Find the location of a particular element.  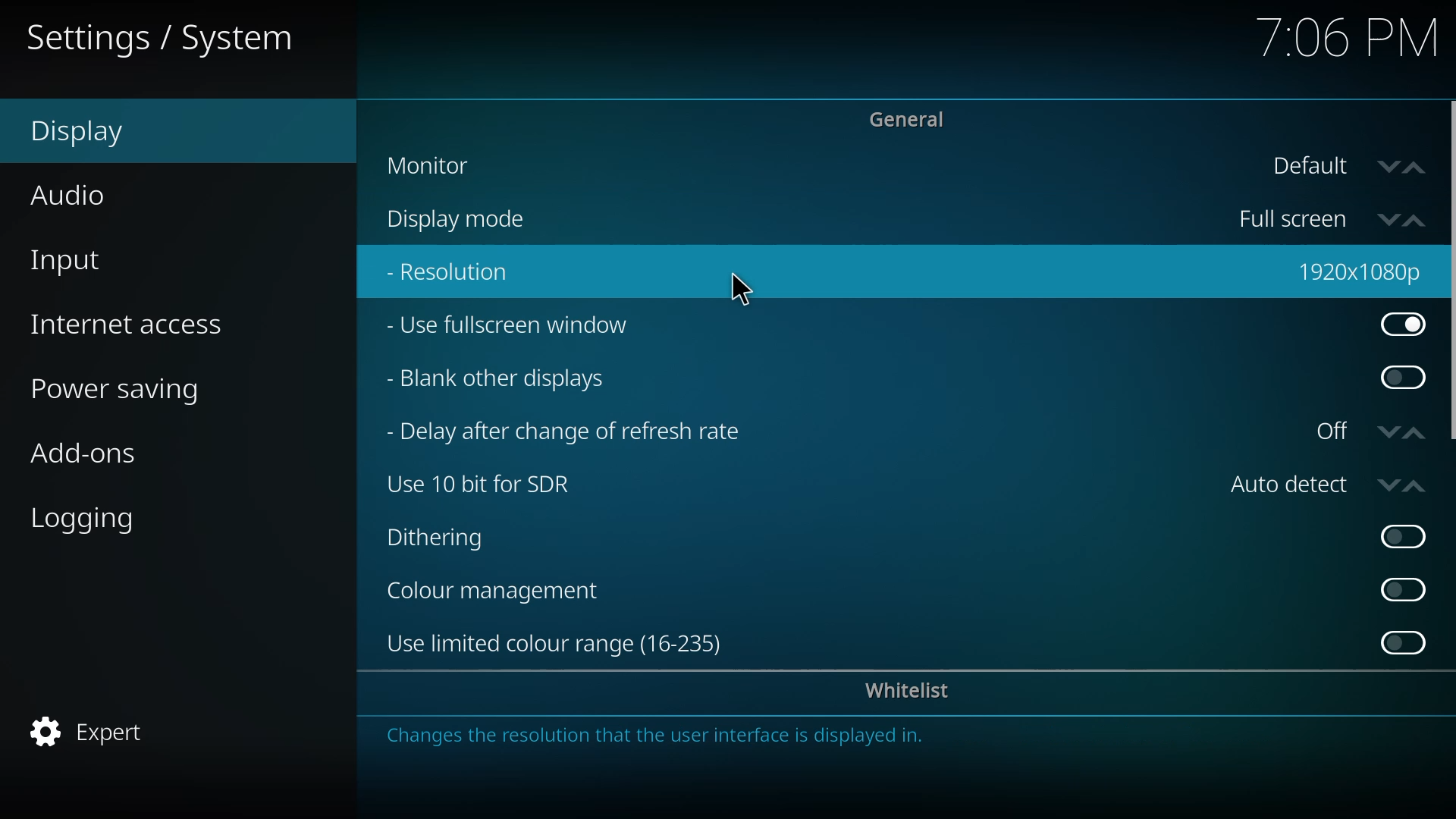

use fullscreen window is located at coordinates (516, 324).